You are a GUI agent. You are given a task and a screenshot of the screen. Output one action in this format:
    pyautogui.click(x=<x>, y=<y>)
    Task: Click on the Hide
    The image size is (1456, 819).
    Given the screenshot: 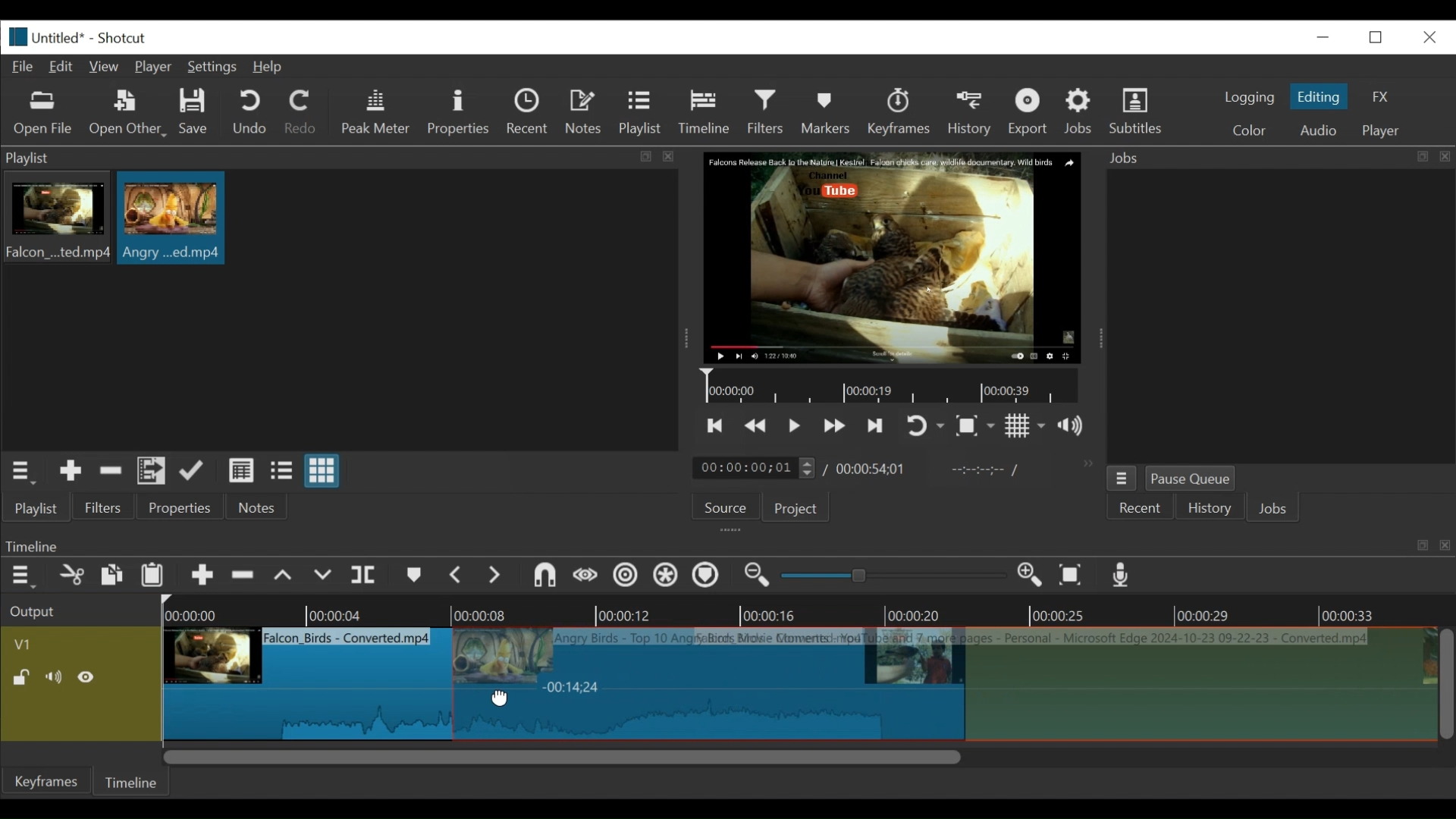 What is the action you would take?
    pyautogui.click(x=90, y=677)
    